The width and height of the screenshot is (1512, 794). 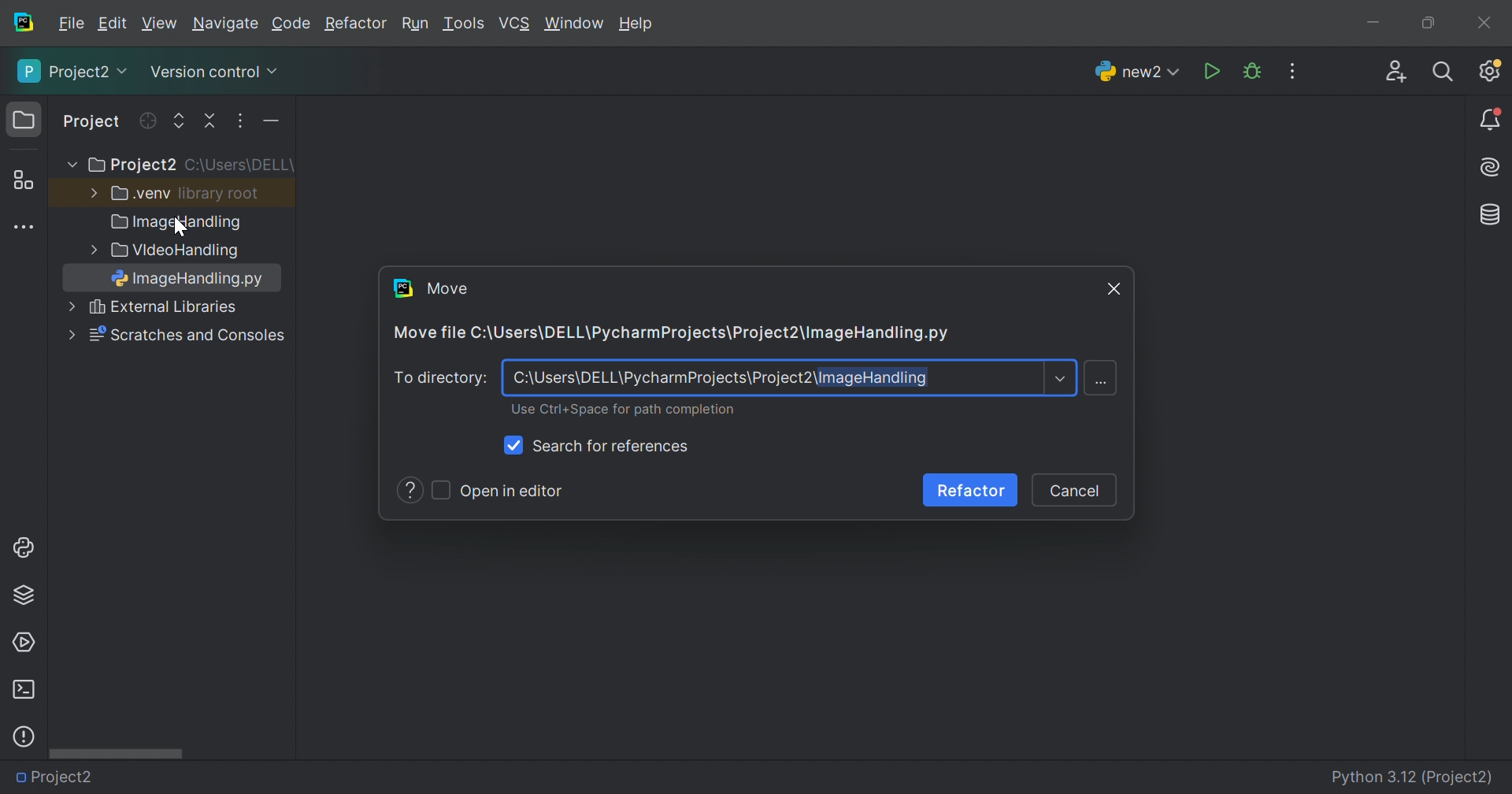 I want to click on Search for references, so click(x=614, y=444).